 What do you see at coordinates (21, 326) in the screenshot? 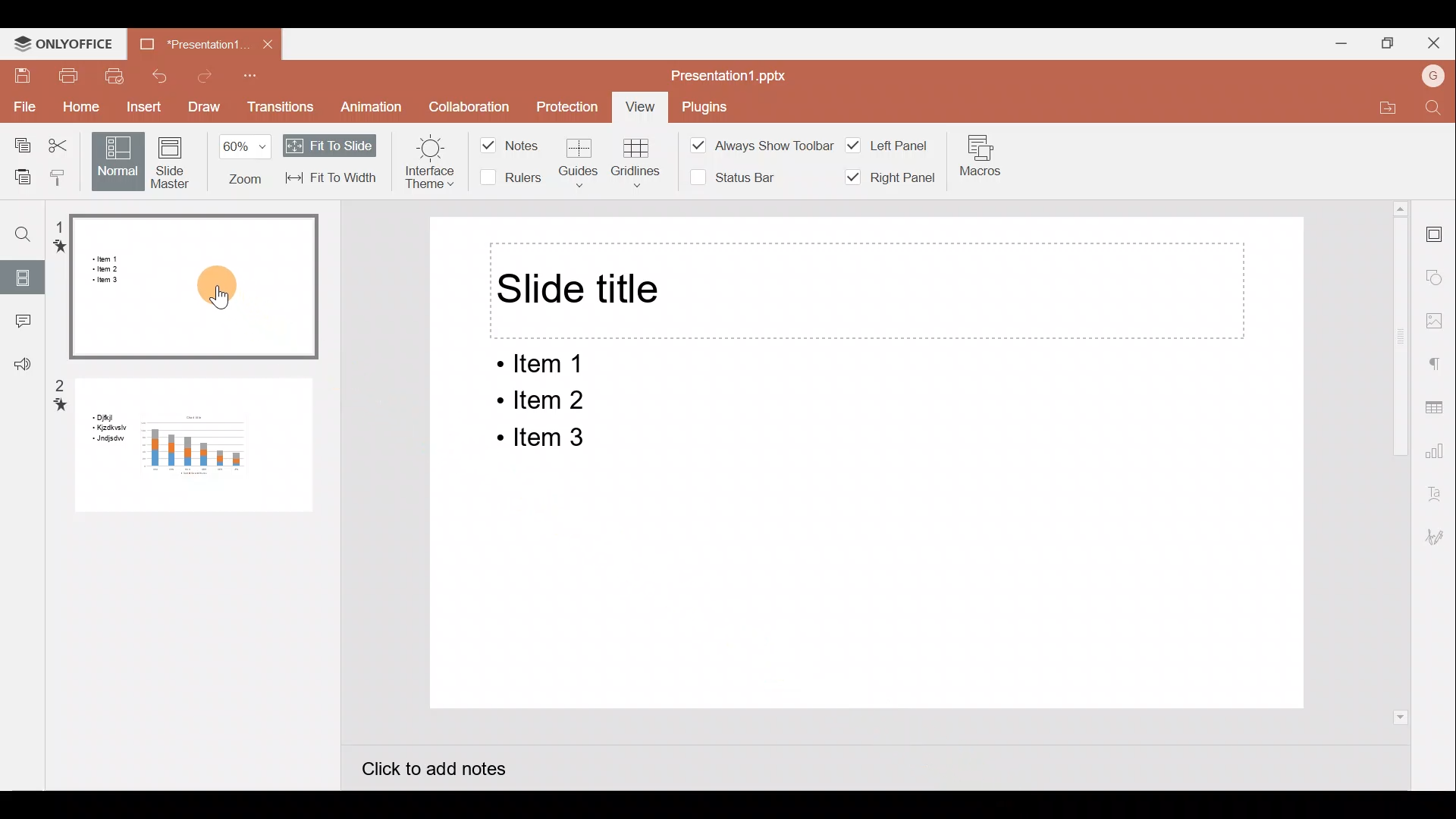
I see `Comments` at bounding box center [21, 326].